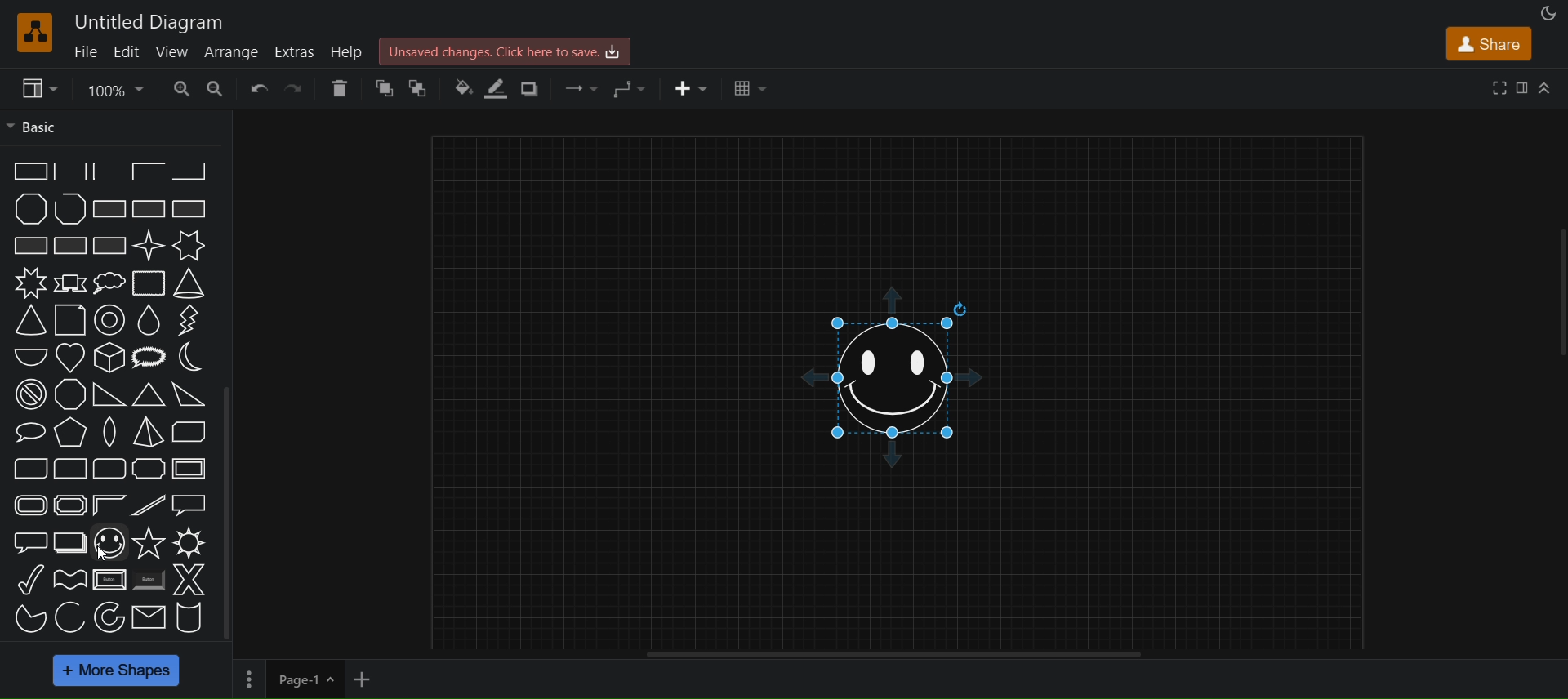 The image size is (1568, 699). What do you see at coordinates (893, 653) in the screenshot?
I see `horizontal scroll bar` at bounding box center [893, 653].